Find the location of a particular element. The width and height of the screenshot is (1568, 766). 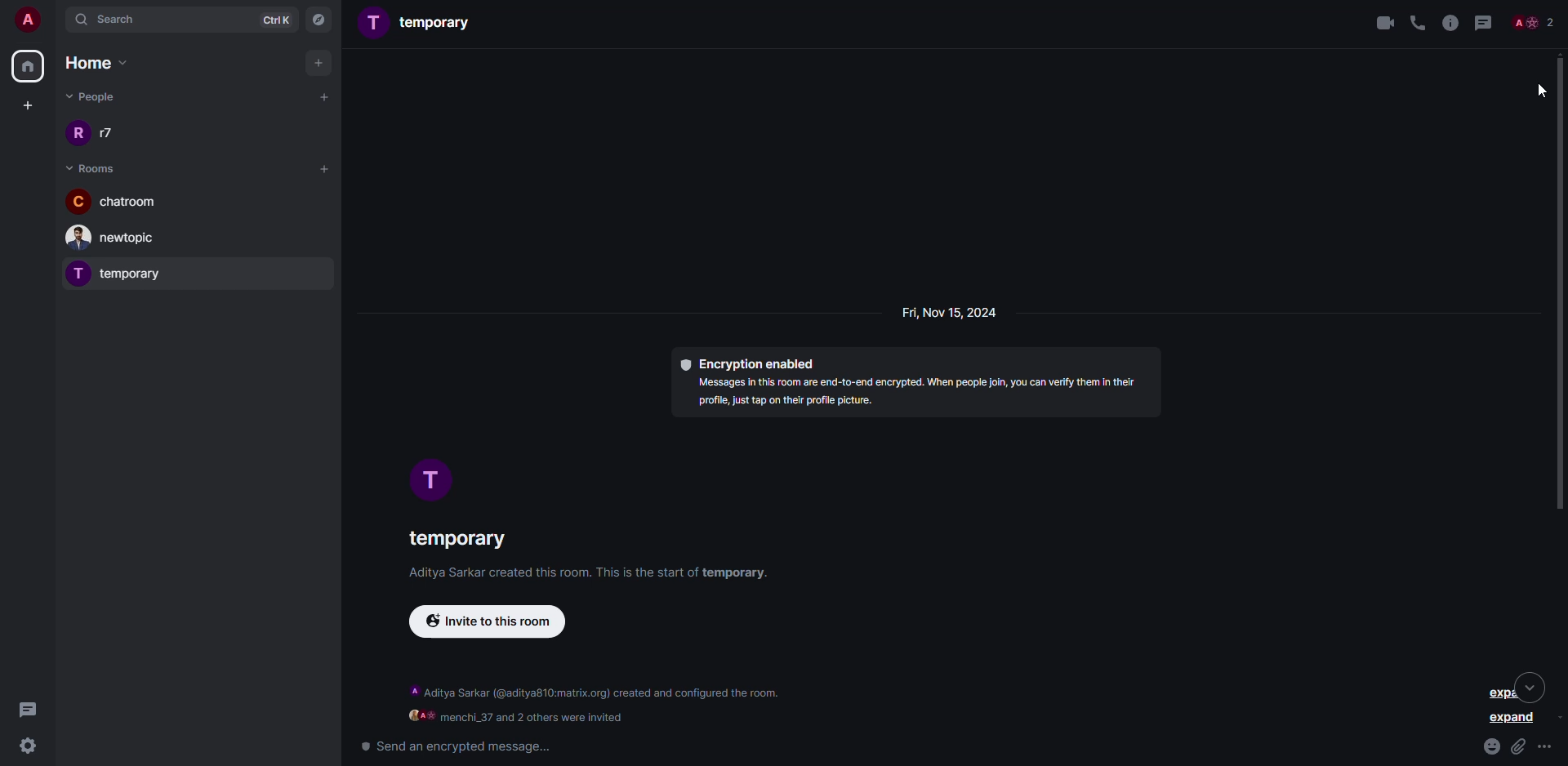

threads is located at coordinates (1485, 22).